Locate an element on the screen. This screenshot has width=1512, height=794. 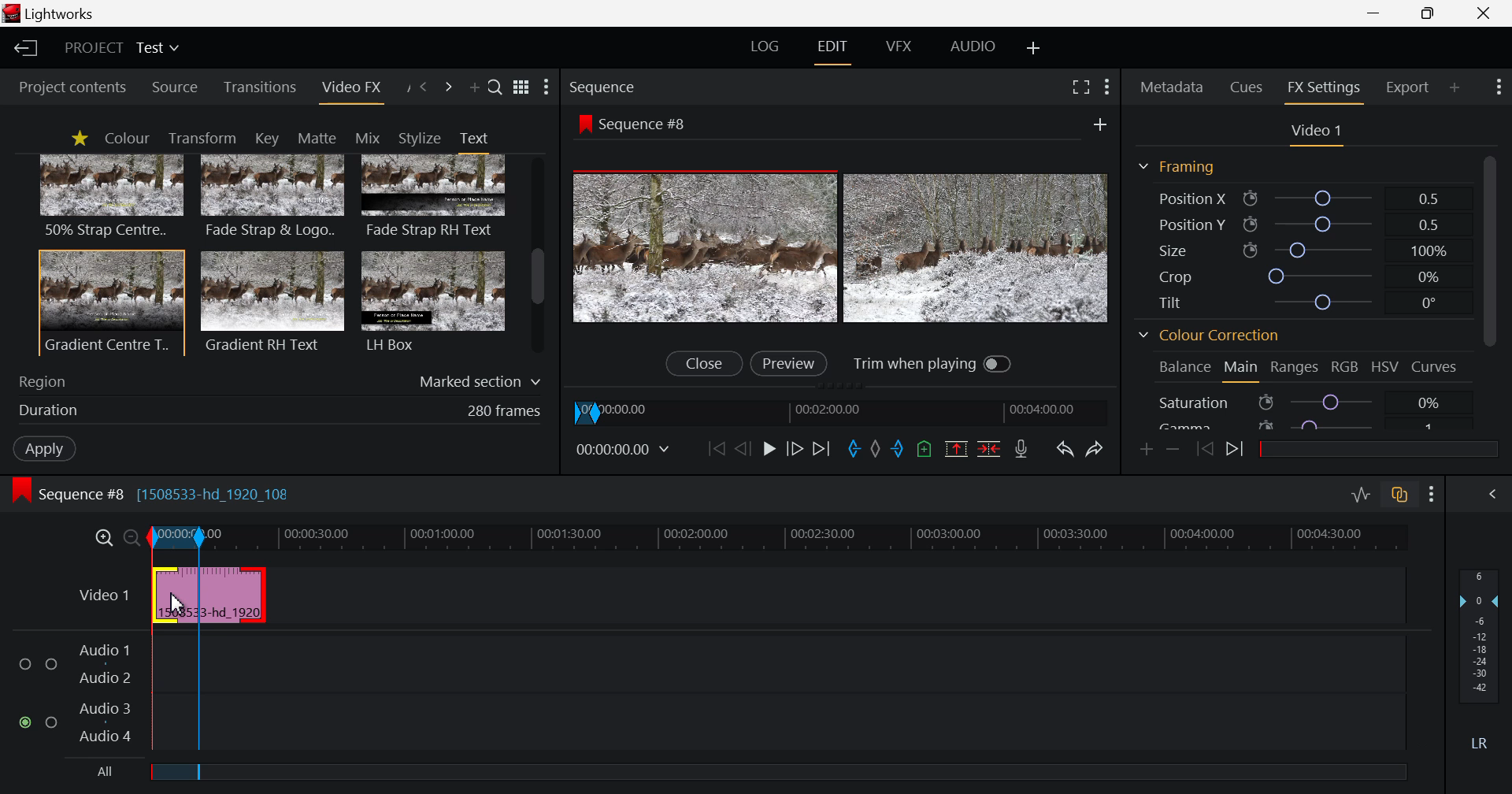
Favorites is located at coordinates (79, 138).